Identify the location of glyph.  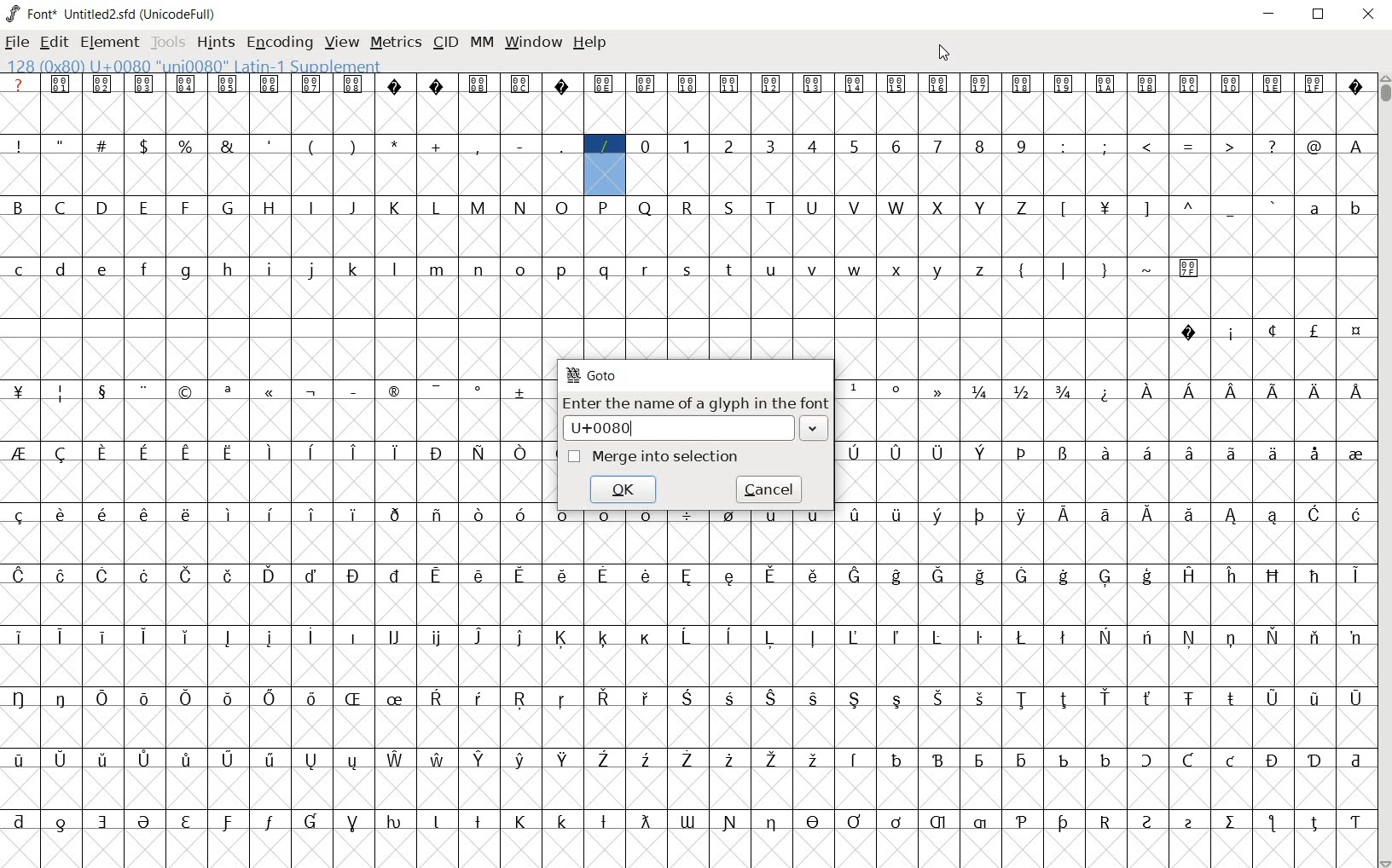
(143, 146).